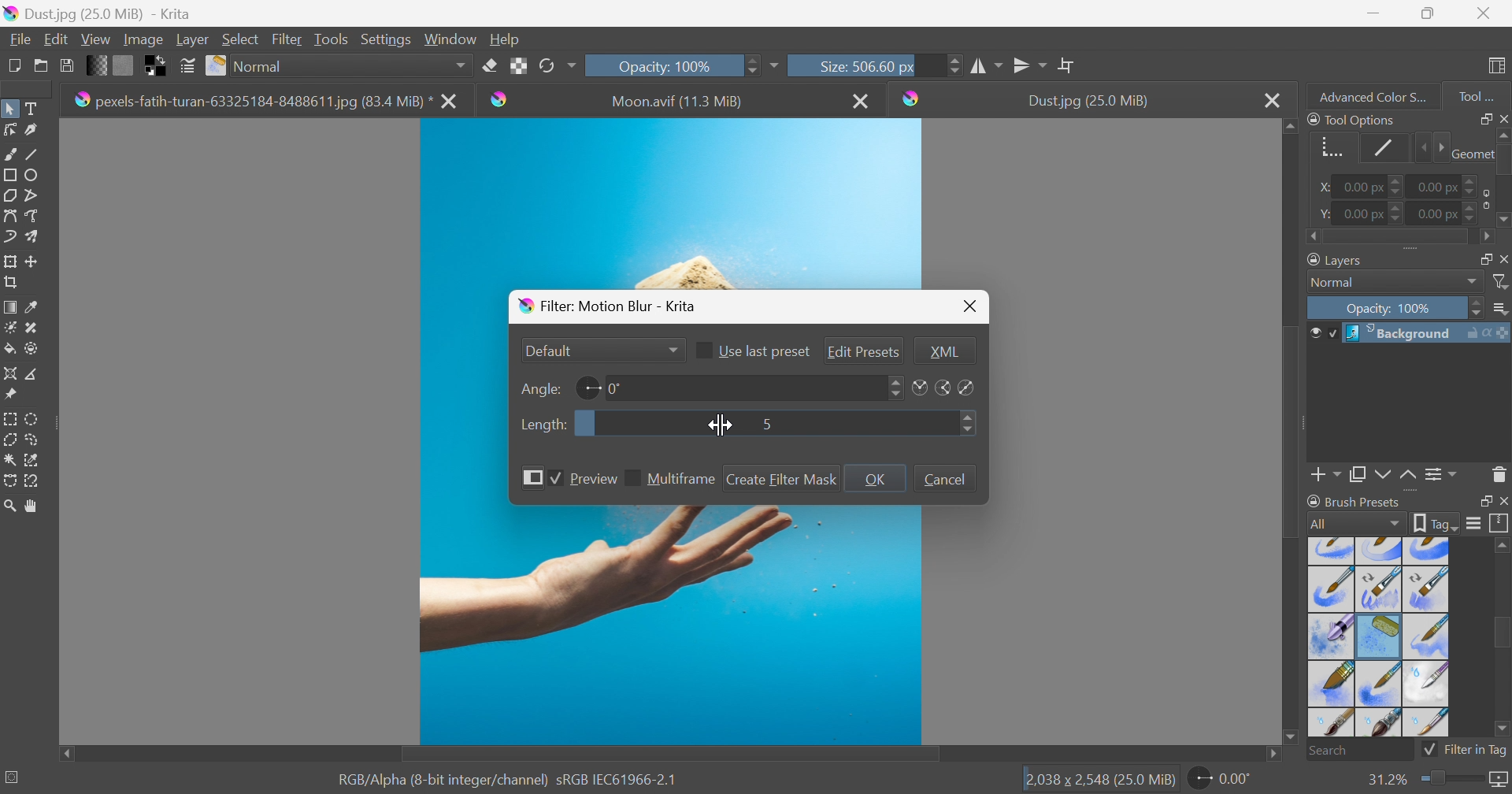  Describe the element at coordinates (452, 102) in the screenshot. I see `close` at that location.